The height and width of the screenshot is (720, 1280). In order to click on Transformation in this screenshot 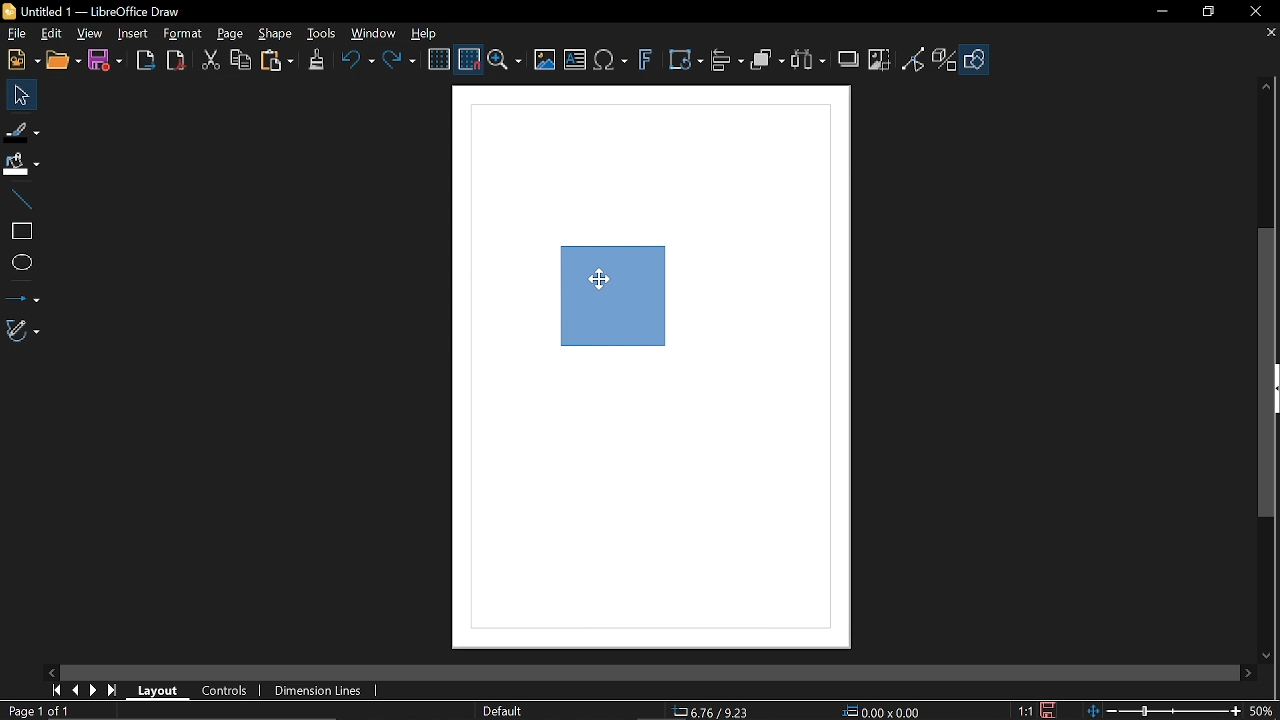, I will do `click(685, 61)`.